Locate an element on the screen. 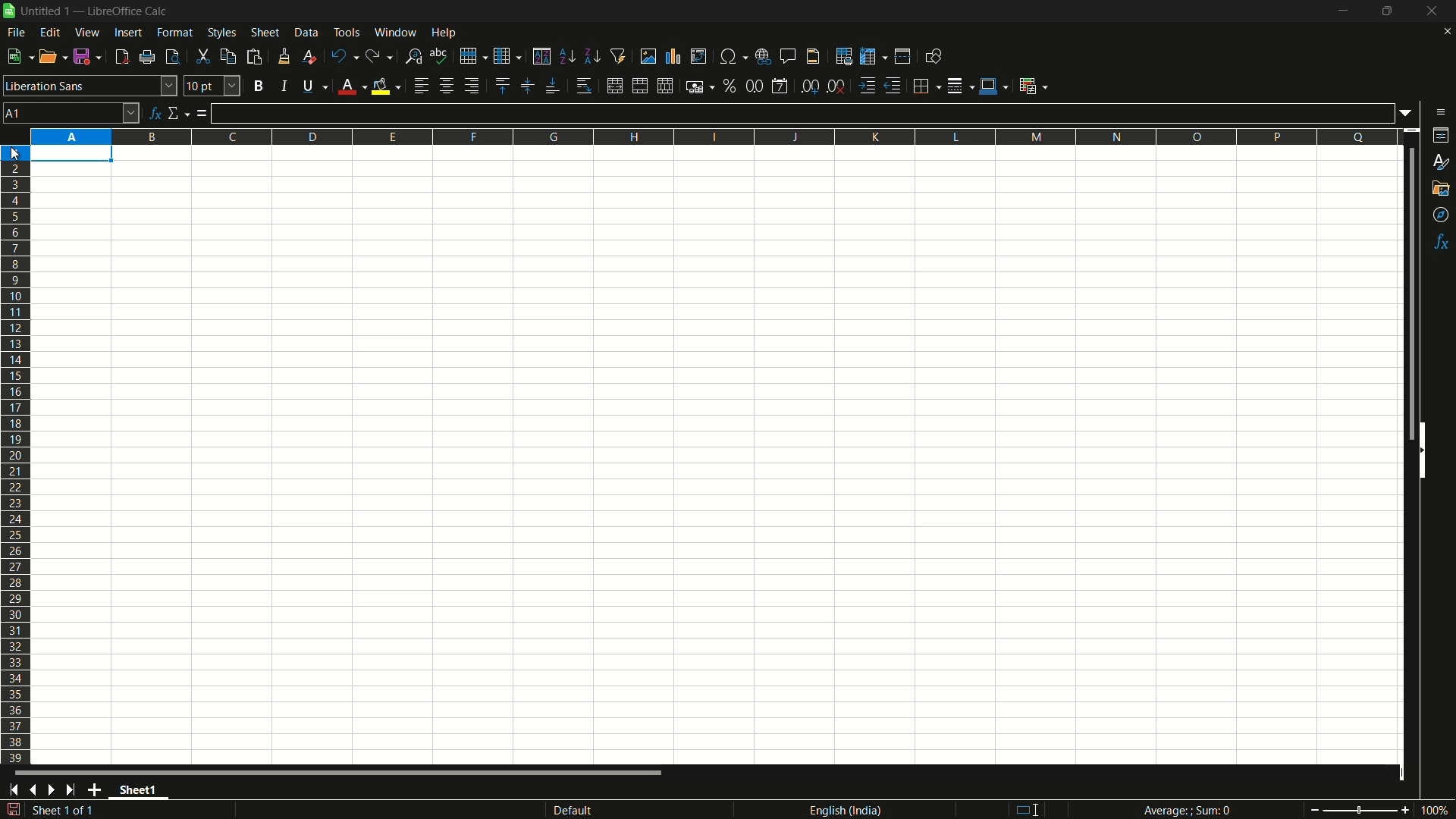  freeze rows and columns is located at coordinates (872, 57).